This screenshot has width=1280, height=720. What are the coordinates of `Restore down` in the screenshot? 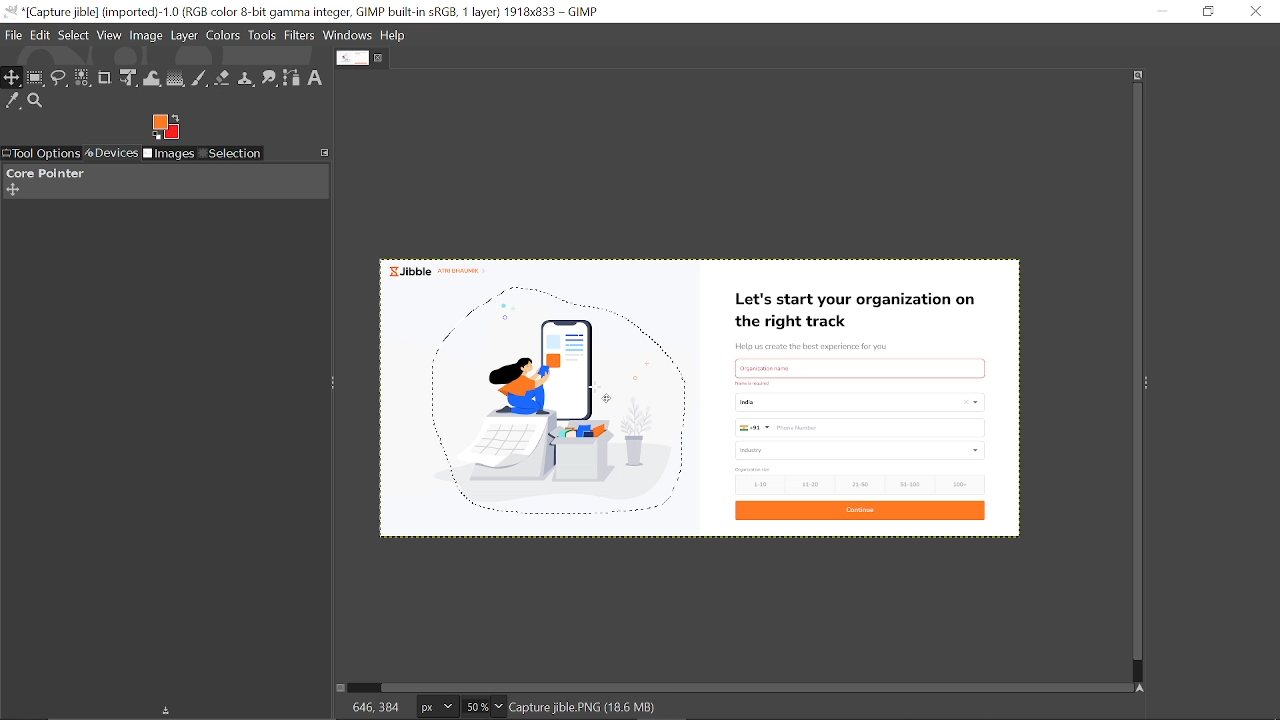 It's located at (1210, 11).